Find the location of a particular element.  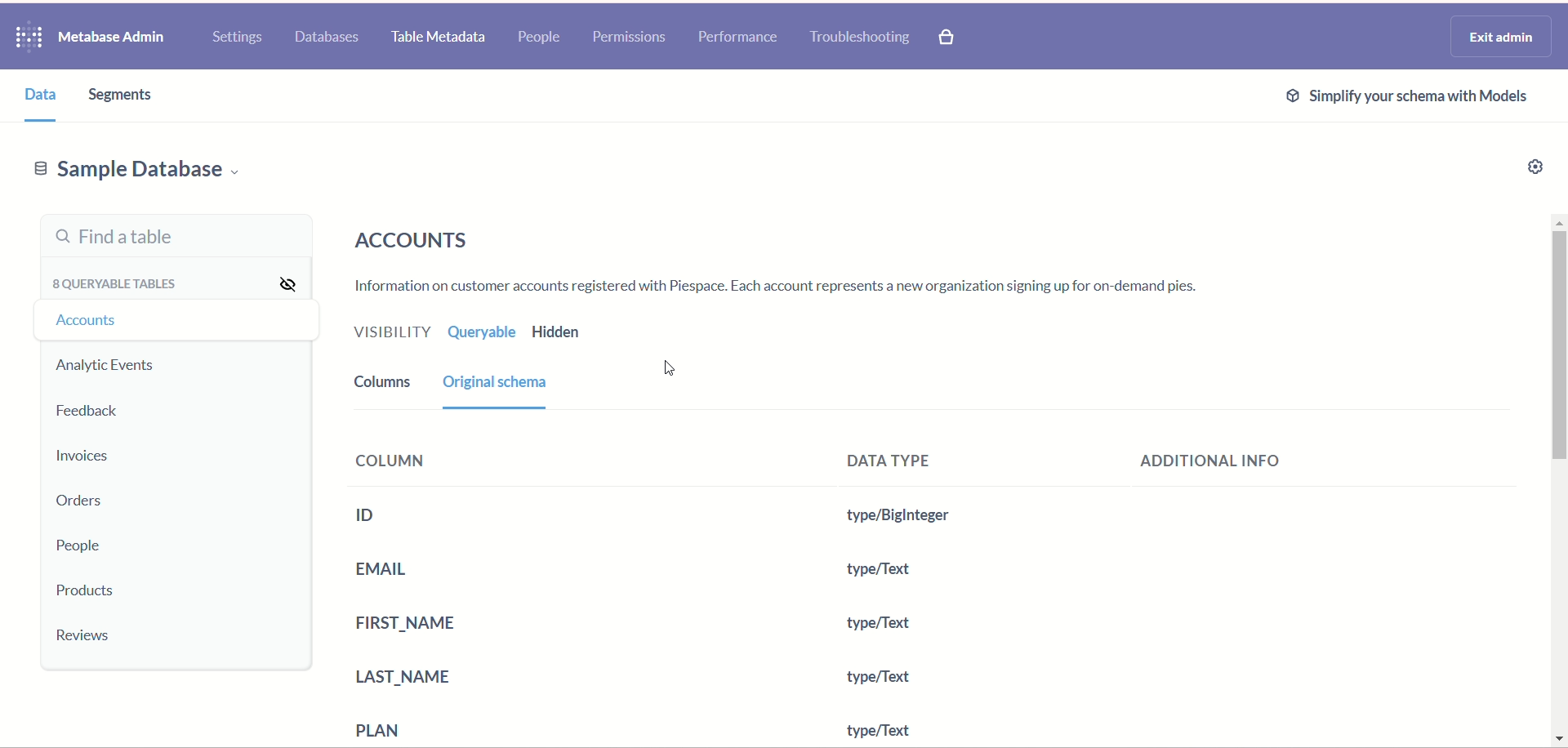

analytic events is located at coordinates (105, 364).